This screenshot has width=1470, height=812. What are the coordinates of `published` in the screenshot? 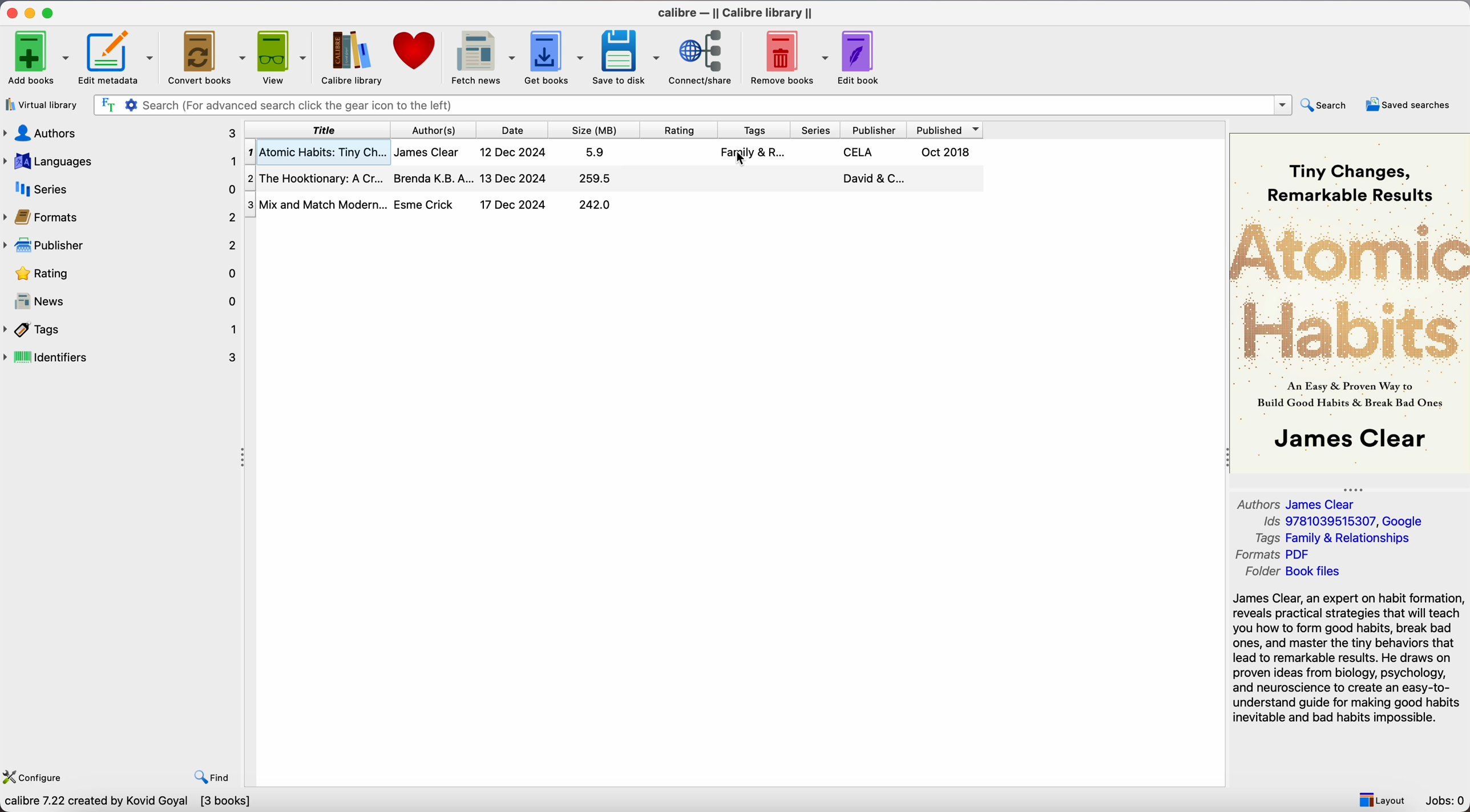 It's located at (947, 130).